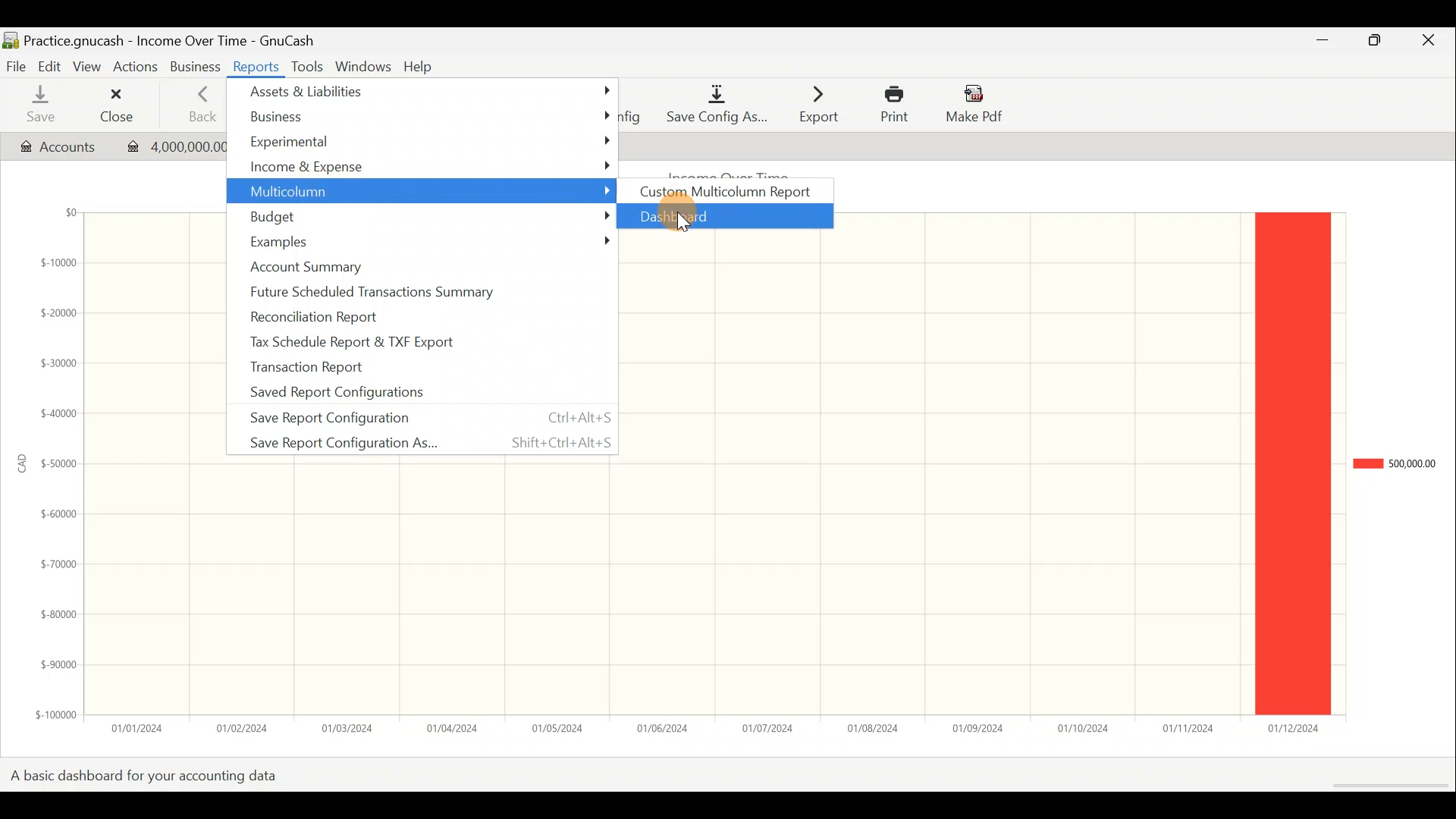  What do you see at coordinates (139, 71) in the screenshot?
I see `Actions` at bounding box center [139, 71].